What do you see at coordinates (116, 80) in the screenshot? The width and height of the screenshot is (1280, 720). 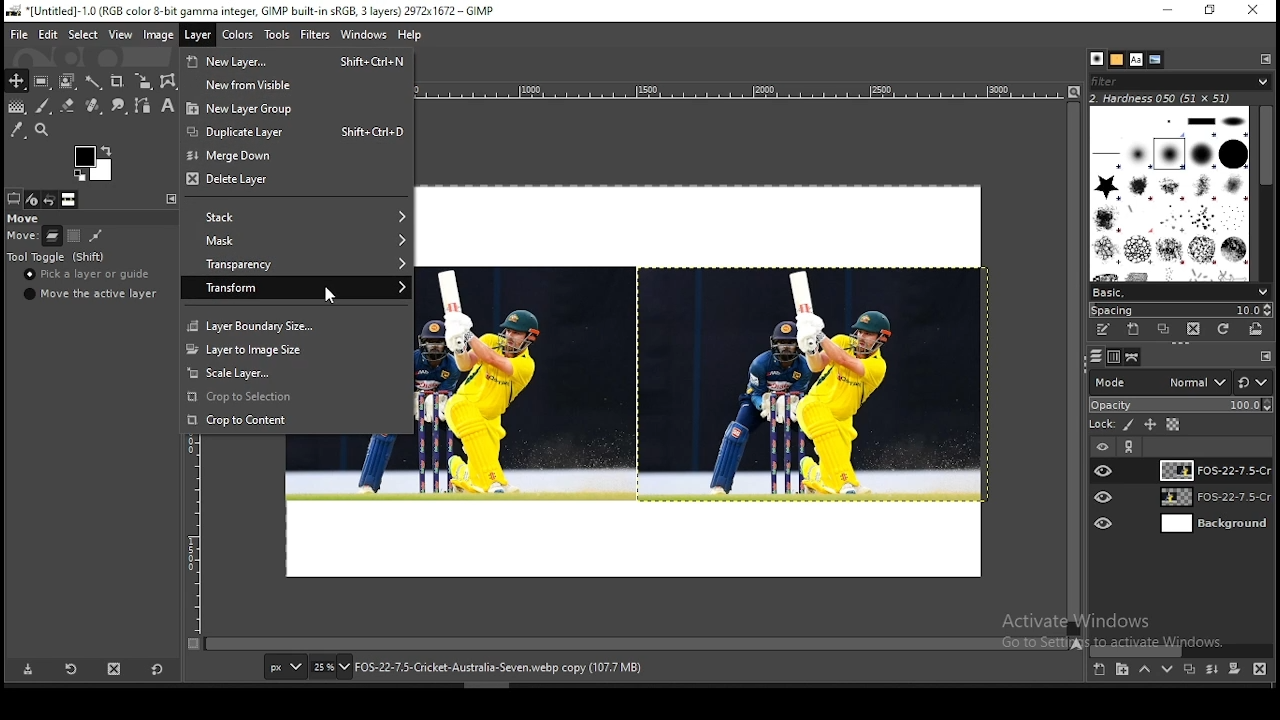 I see `crop tool` at bounding box center [116, 80].